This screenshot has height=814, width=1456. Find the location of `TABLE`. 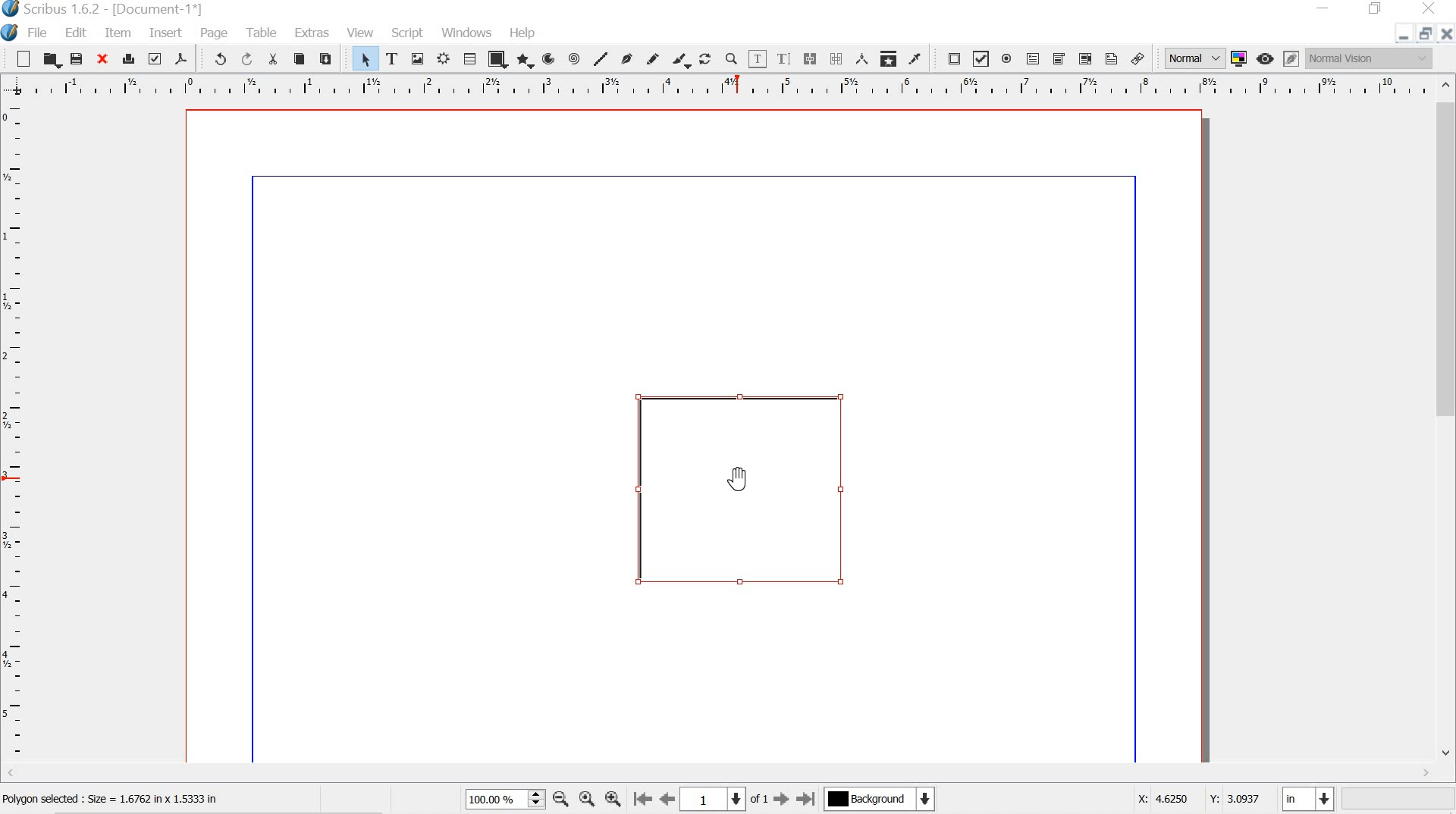

TABLE is located at coordinates (260, 31).